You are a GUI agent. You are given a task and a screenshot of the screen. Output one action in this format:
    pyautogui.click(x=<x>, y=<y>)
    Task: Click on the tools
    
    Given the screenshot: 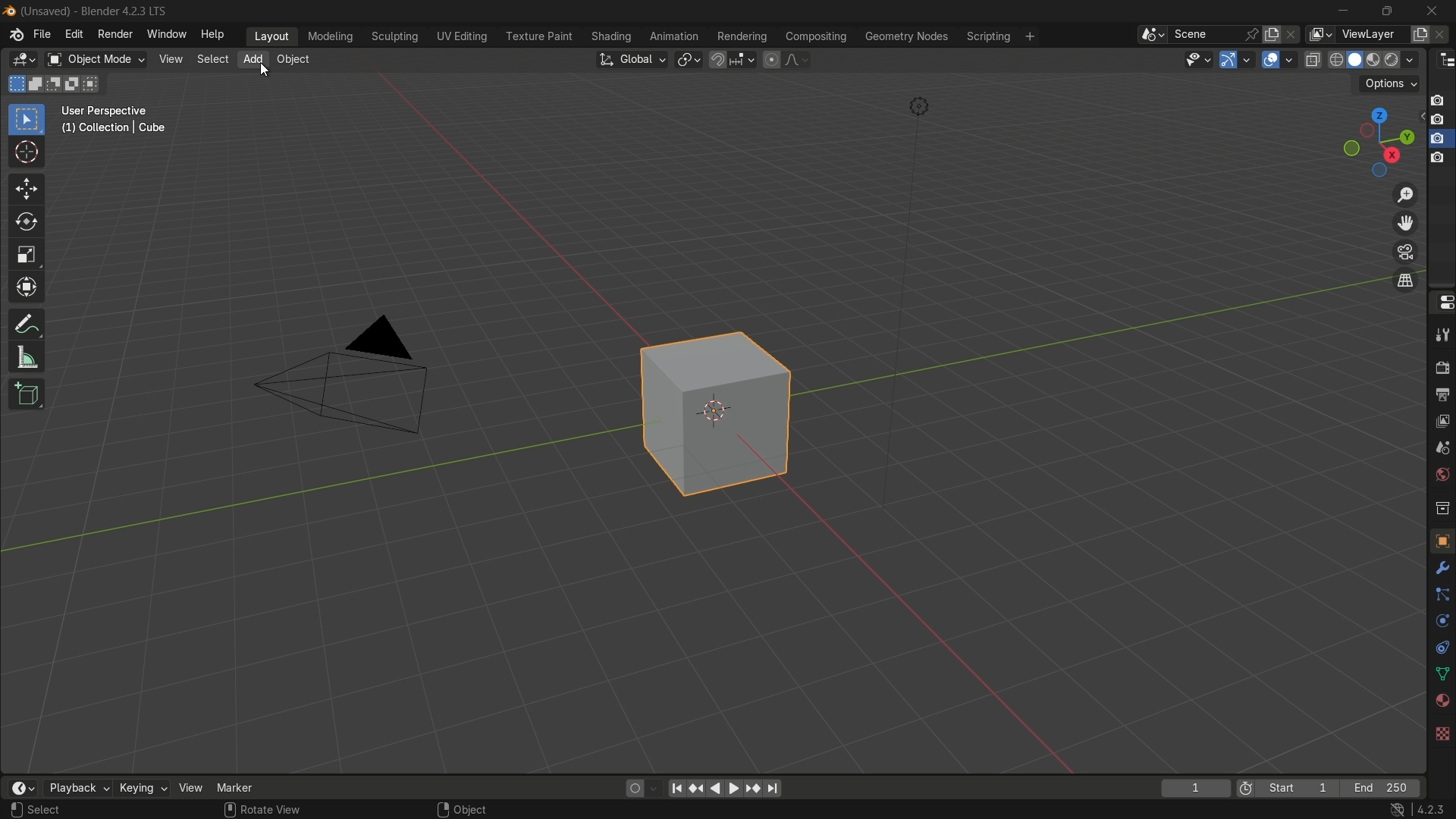 What is the action you would take?
    pyautogui.click(x=1442, y=332)
    